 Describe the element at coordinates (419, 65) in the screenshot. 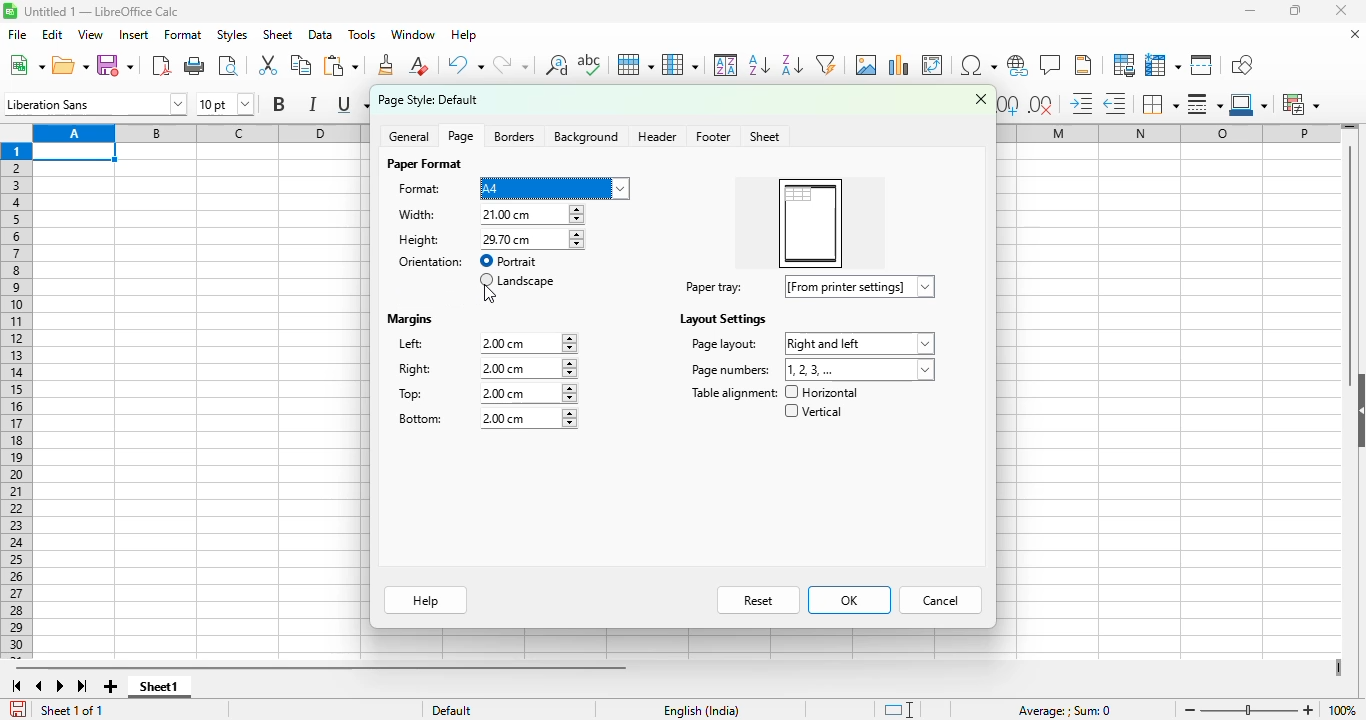

I see `clear direct formatting` at that location.